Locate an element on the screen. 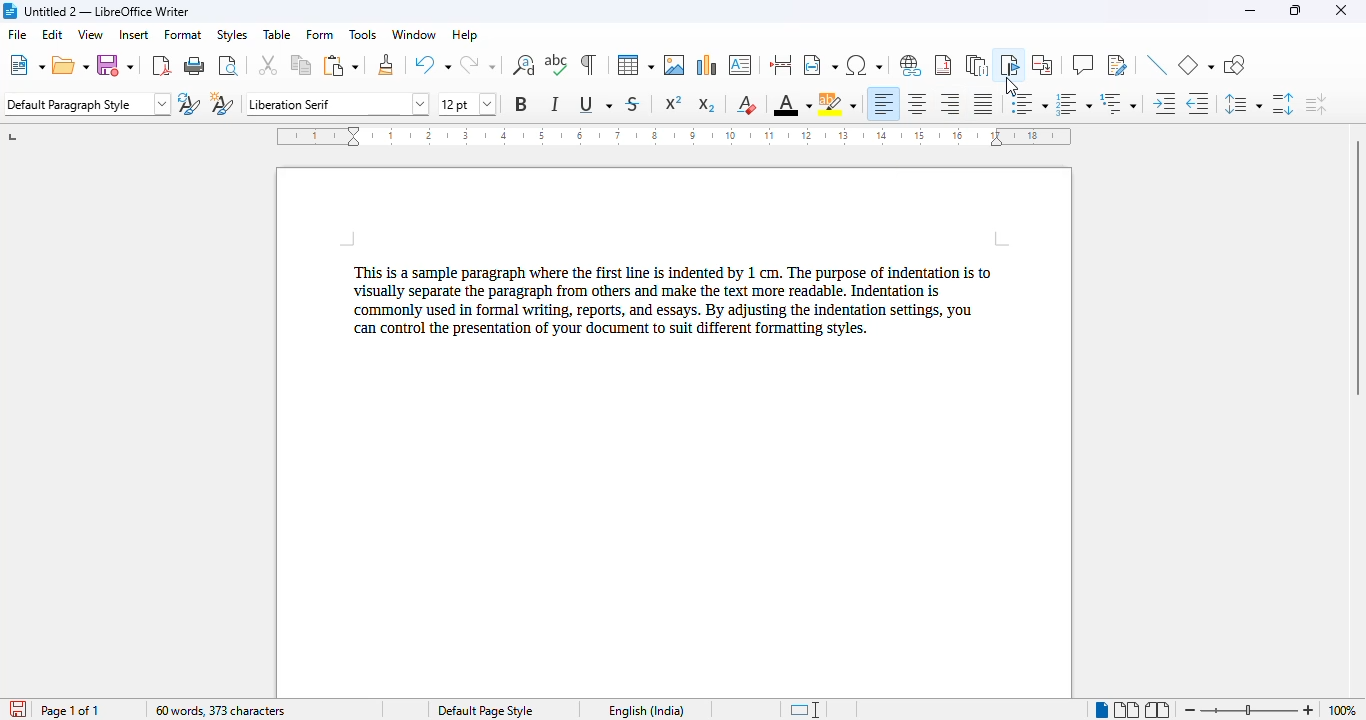 The width and height of the screenshot is (1366, 720). minimize is located at coordinates (1249, 11).